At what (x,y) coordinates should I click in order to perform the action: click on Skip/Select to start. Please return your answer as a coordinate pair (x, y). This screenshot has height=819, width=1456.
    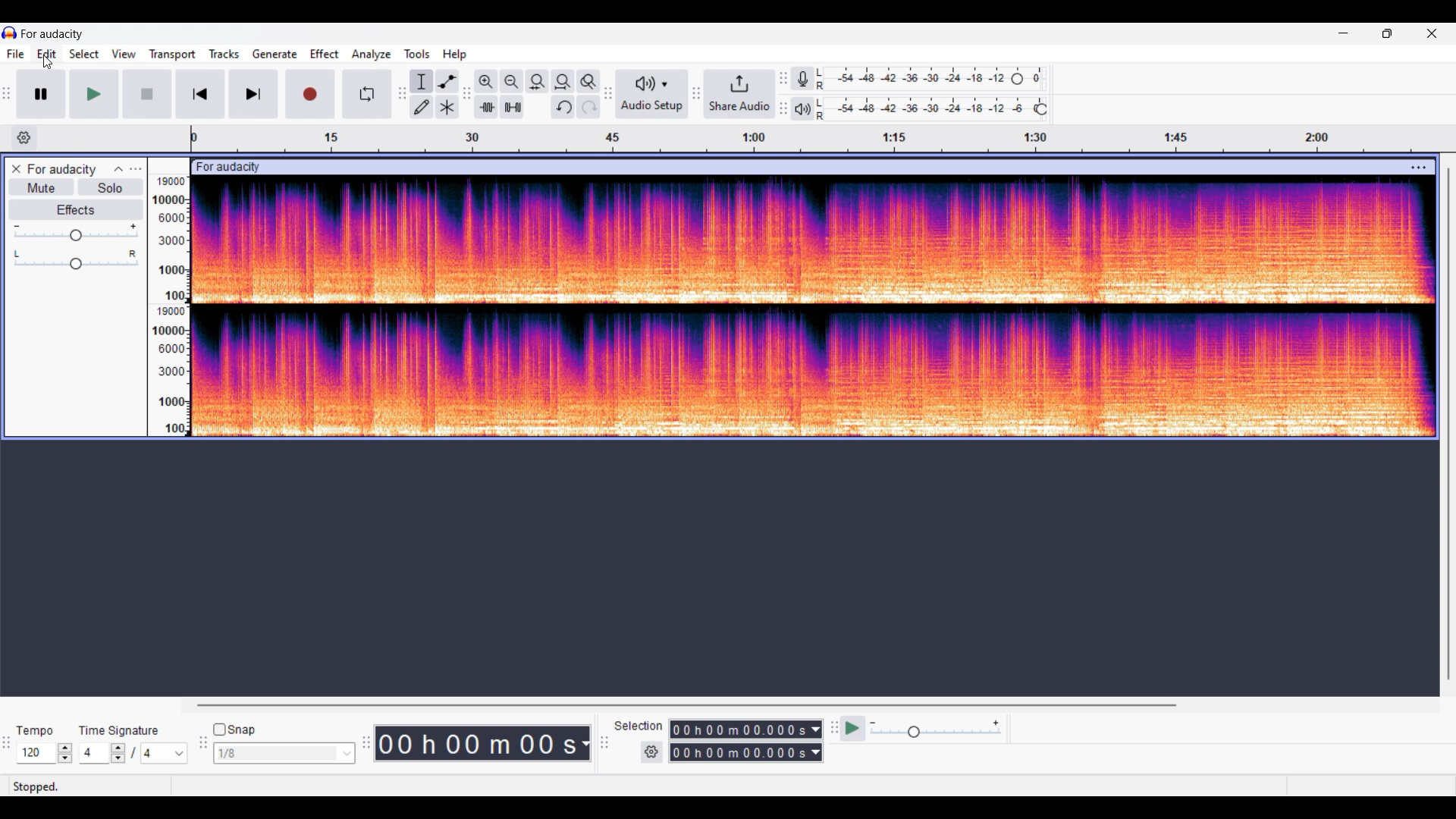
    Looking at the image, I should click on (201, 94).